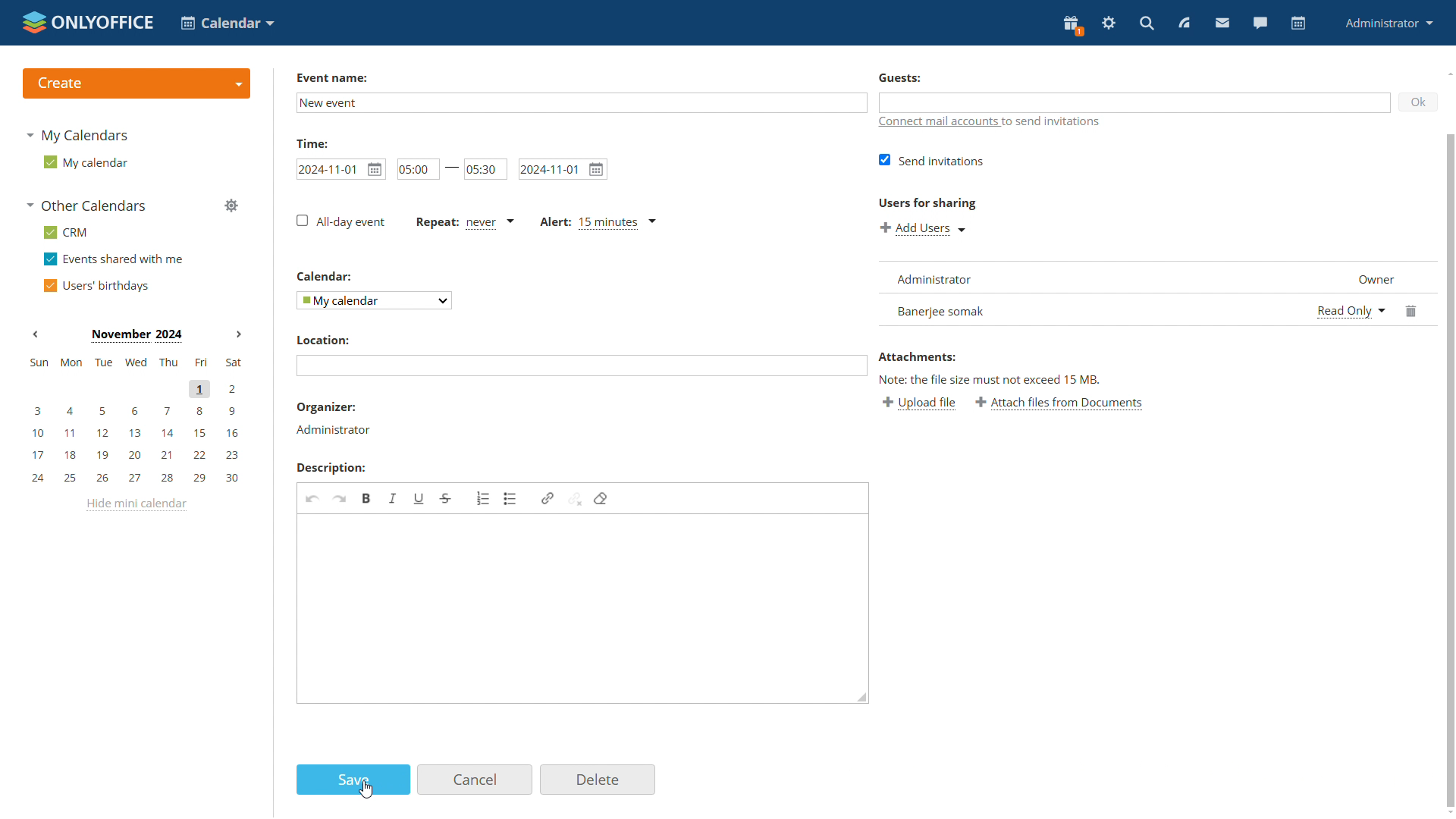  I want to click on bold, so click(366, 497).